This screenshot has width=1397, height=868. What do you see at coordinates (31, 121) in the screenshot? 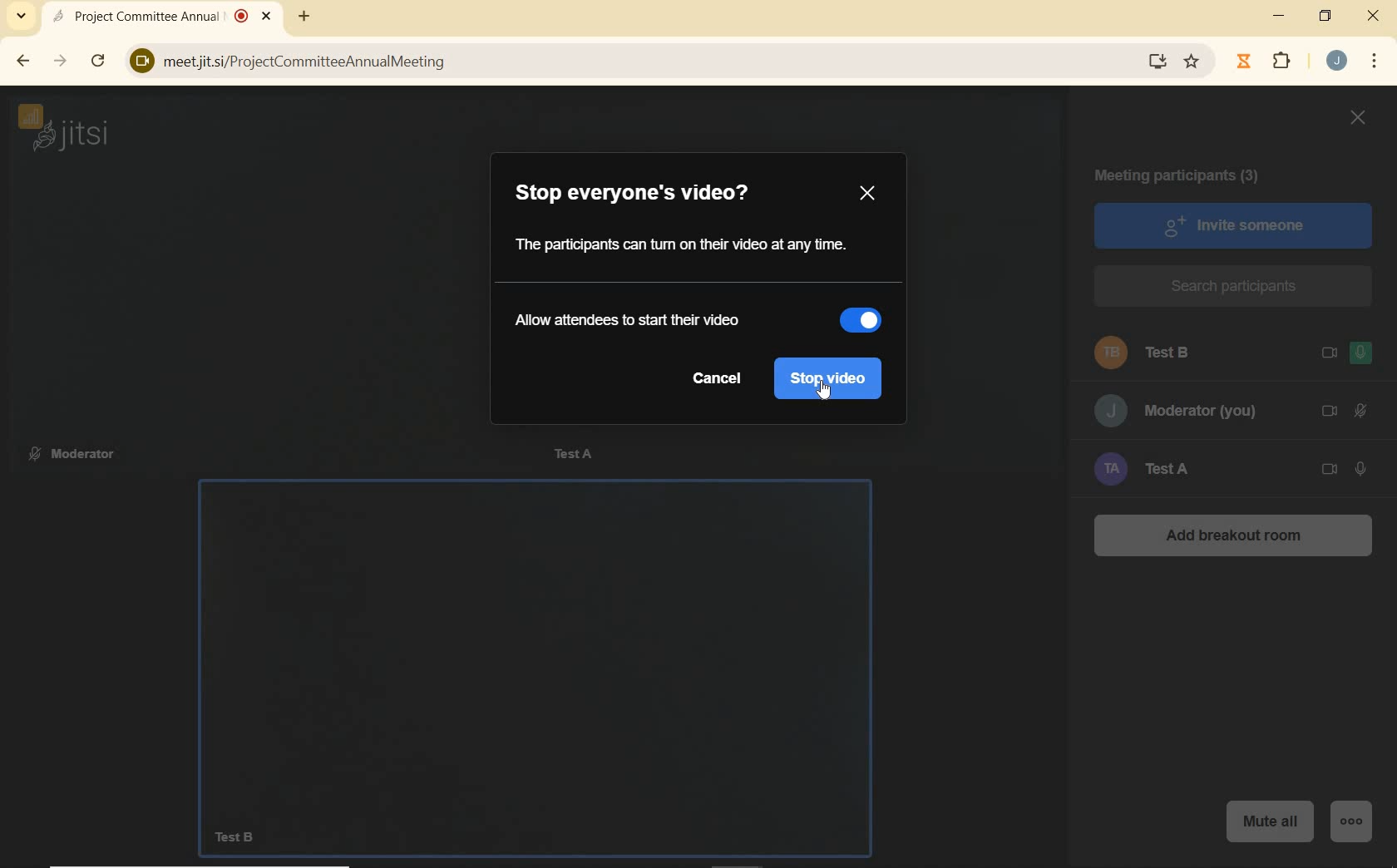
I see `CONNECTION STATUS` at bounding box center [31, 121].